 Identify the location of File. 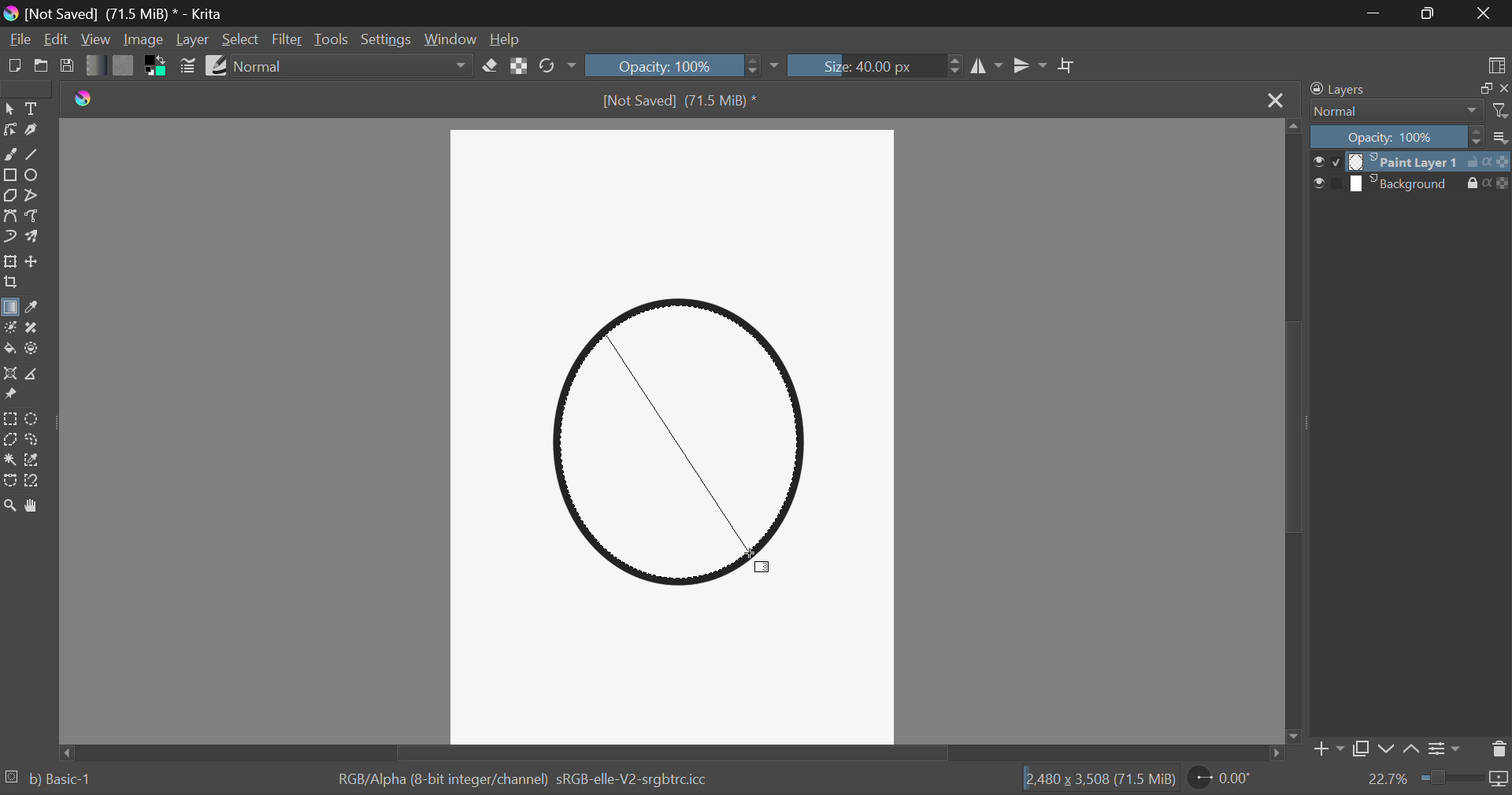
(18, 39).